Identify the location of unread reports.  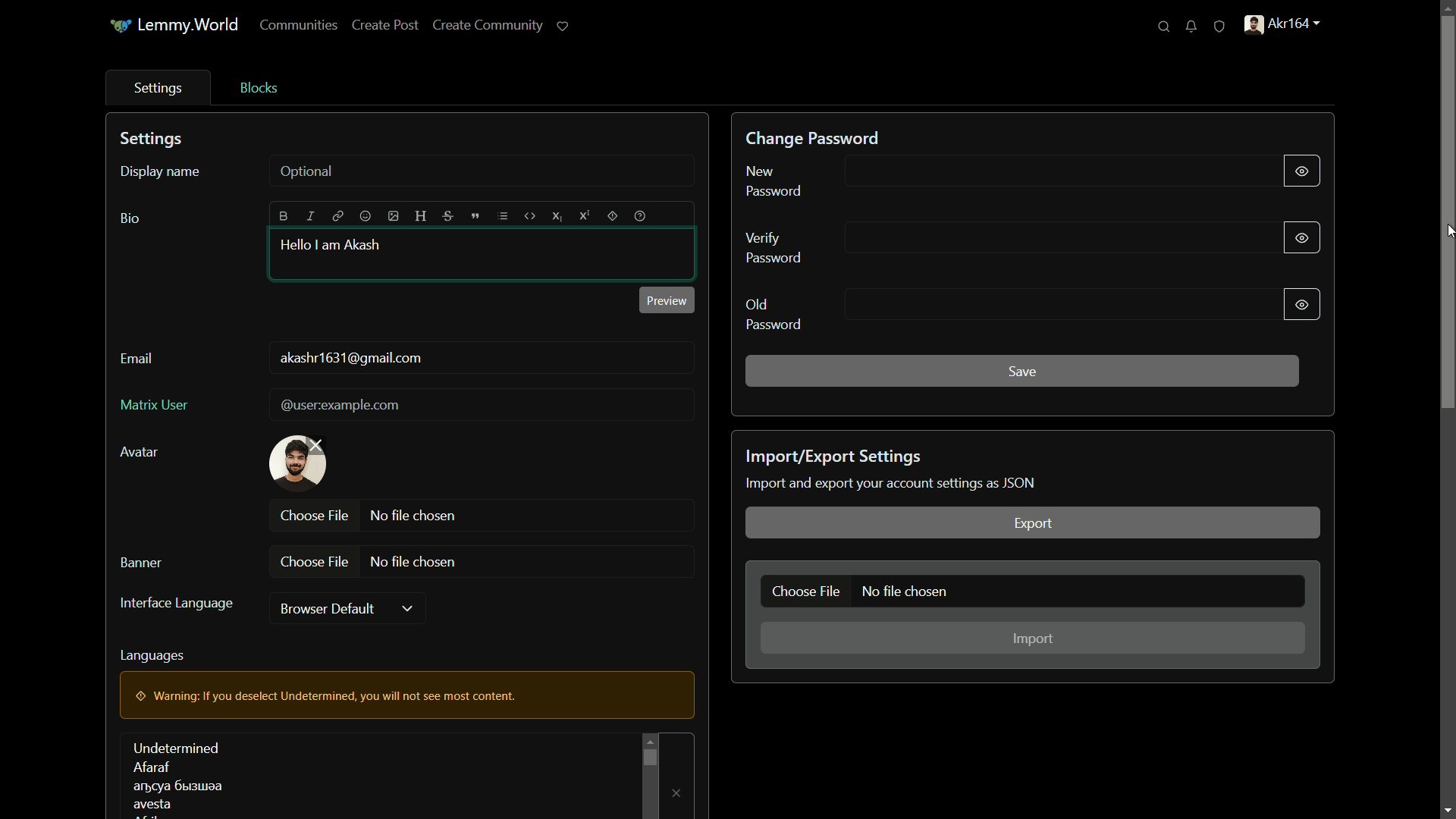
(1219, 26).